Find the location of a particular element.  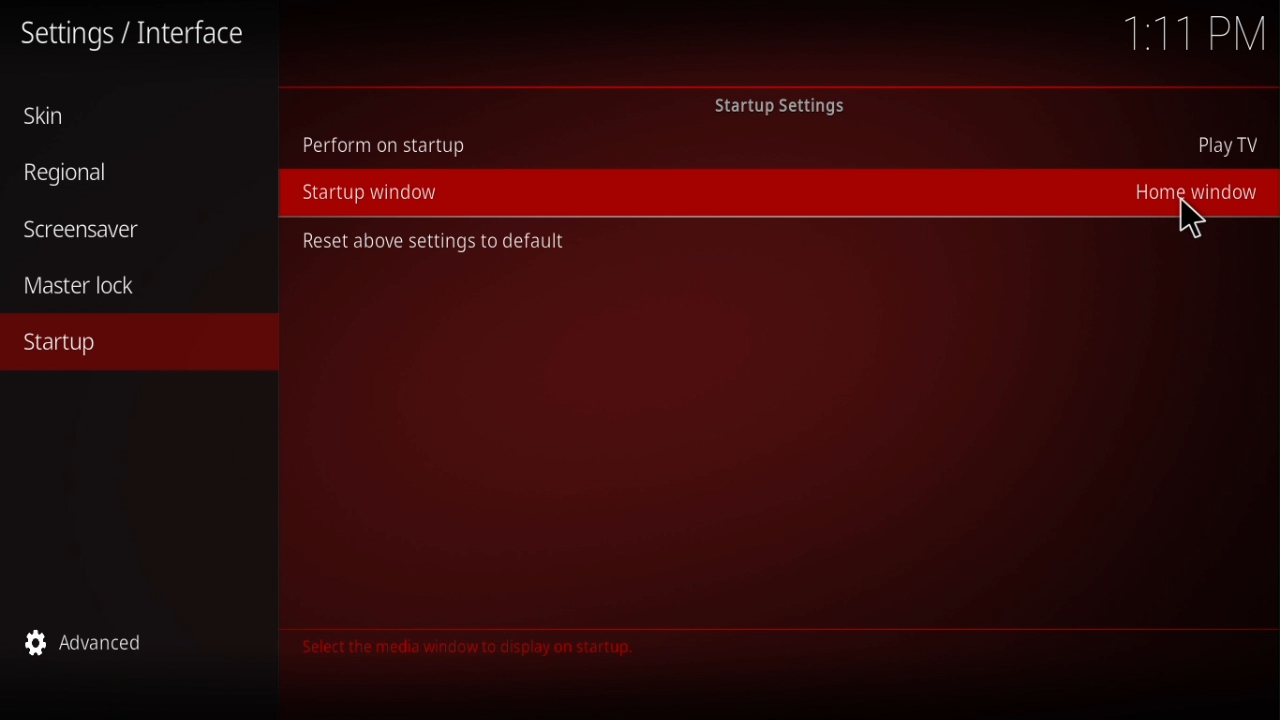

Cursor is located at coordinates (1194, 219).